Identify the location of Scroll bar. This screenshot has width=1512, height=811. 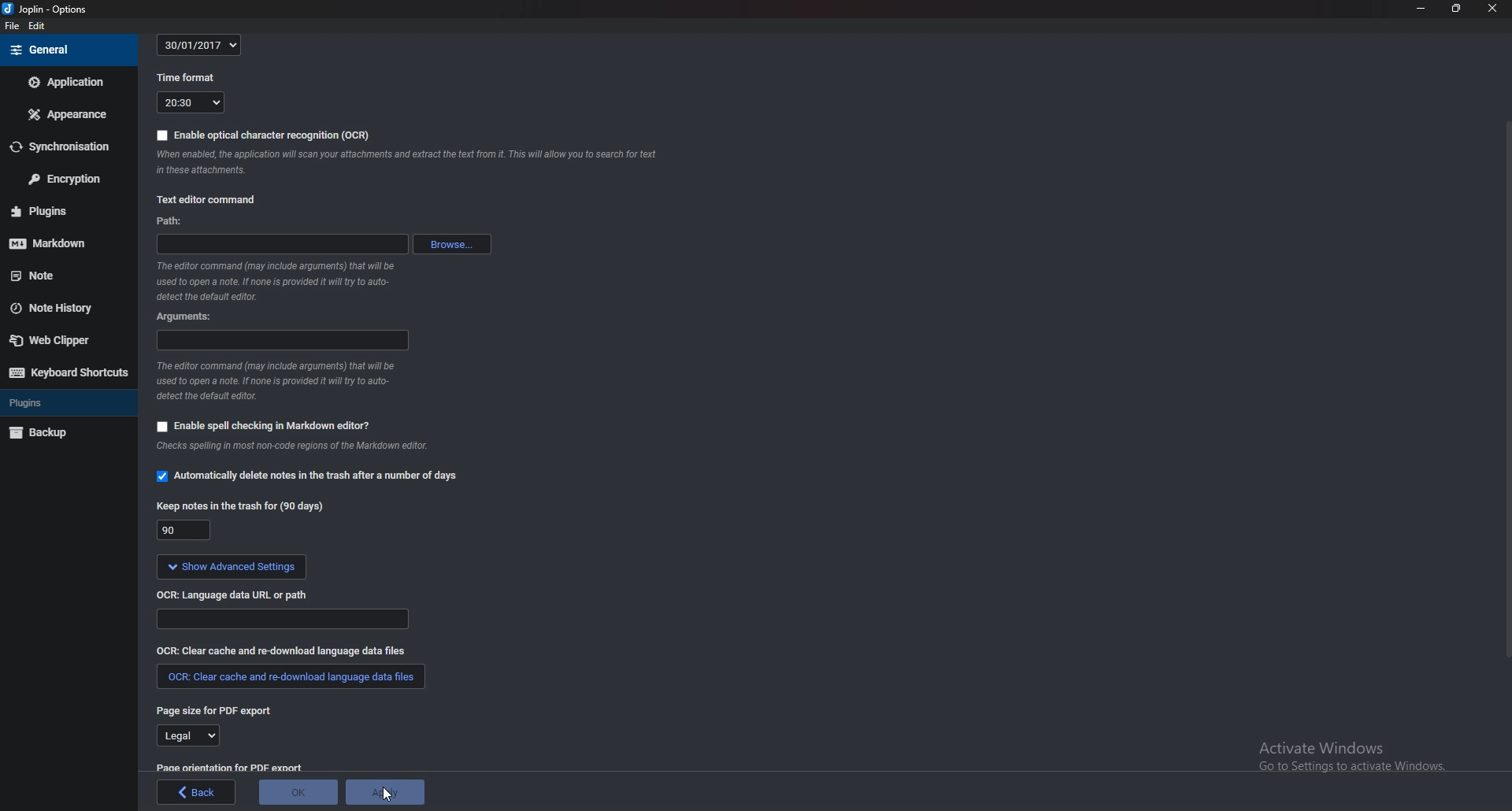
(1505, 394).